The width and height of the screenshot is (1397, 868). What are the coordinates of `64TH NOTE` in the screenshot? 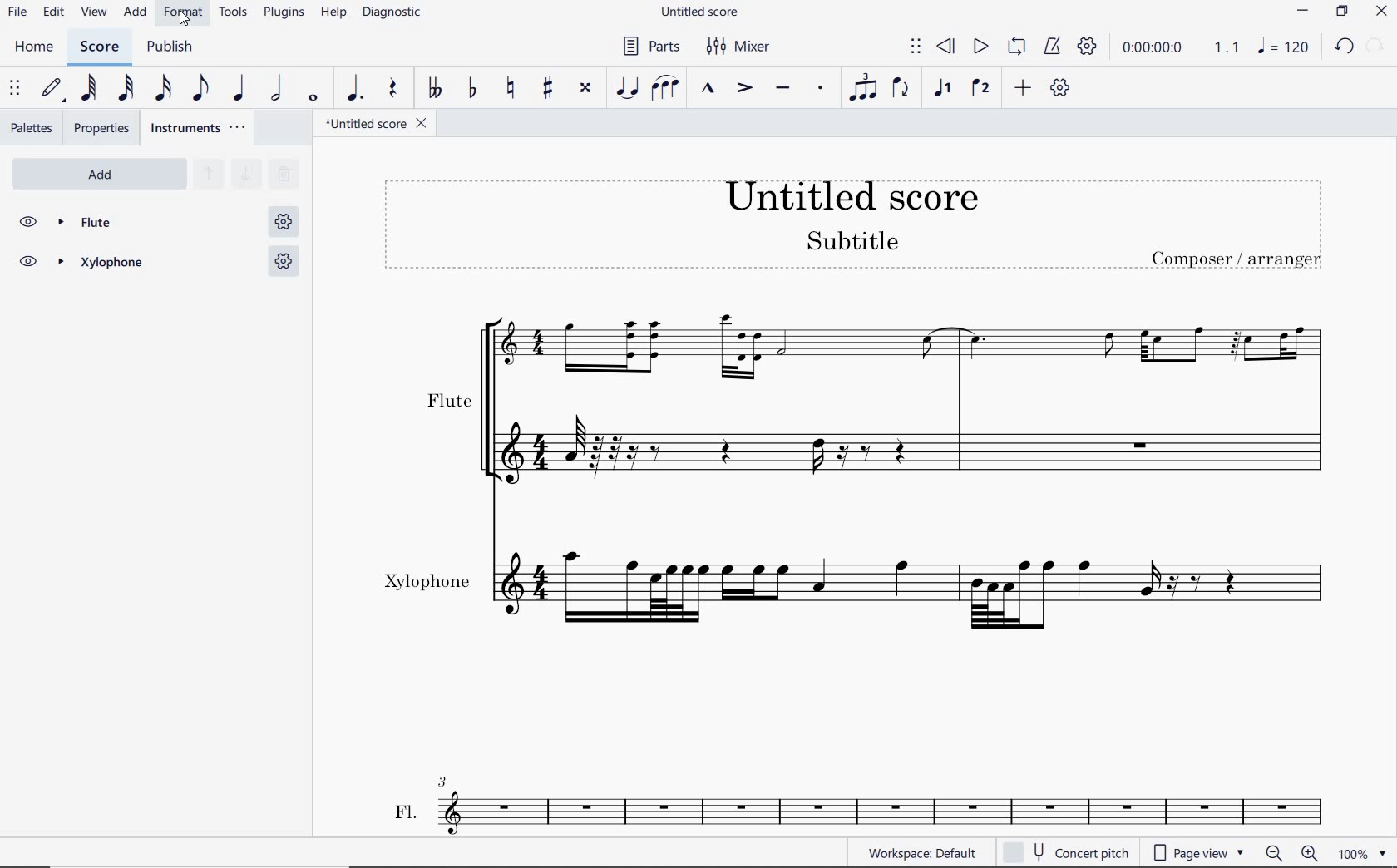 It's located at (86, 89).